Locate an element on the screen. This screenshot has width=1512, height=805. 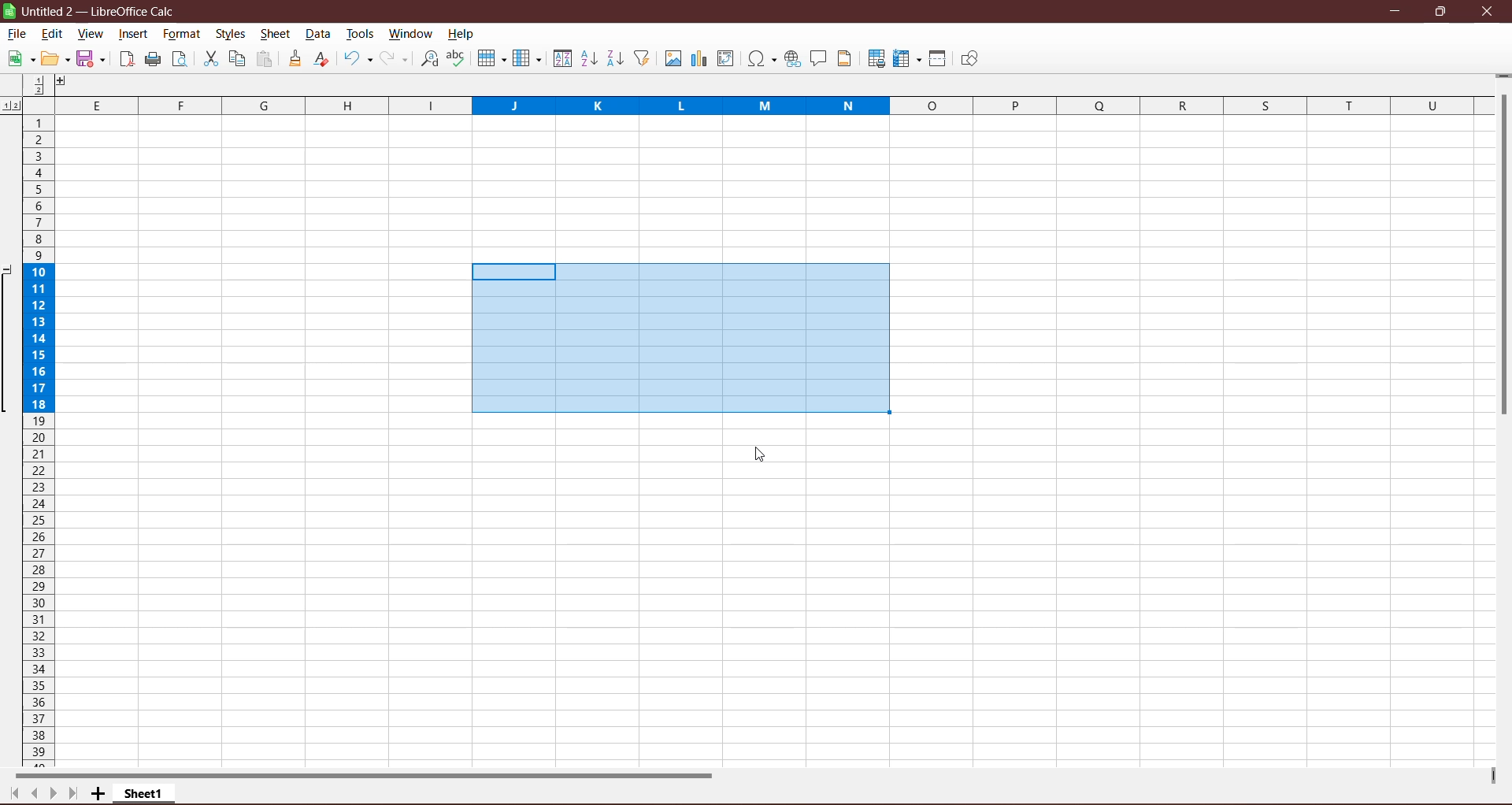
Redo is located at coordinates (395, 58).